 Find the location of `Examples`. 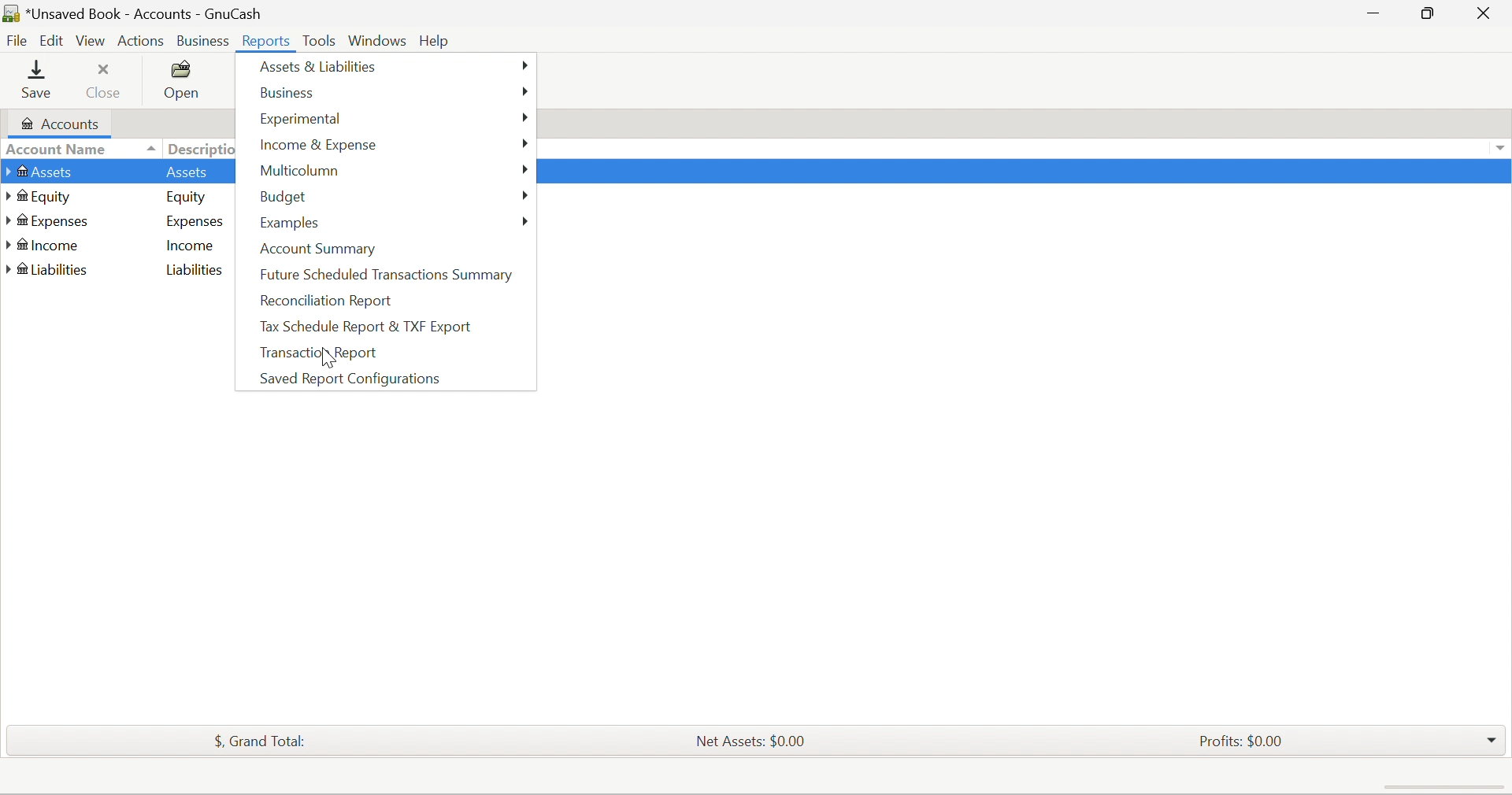

Examples is located at coordinates (294, 224).